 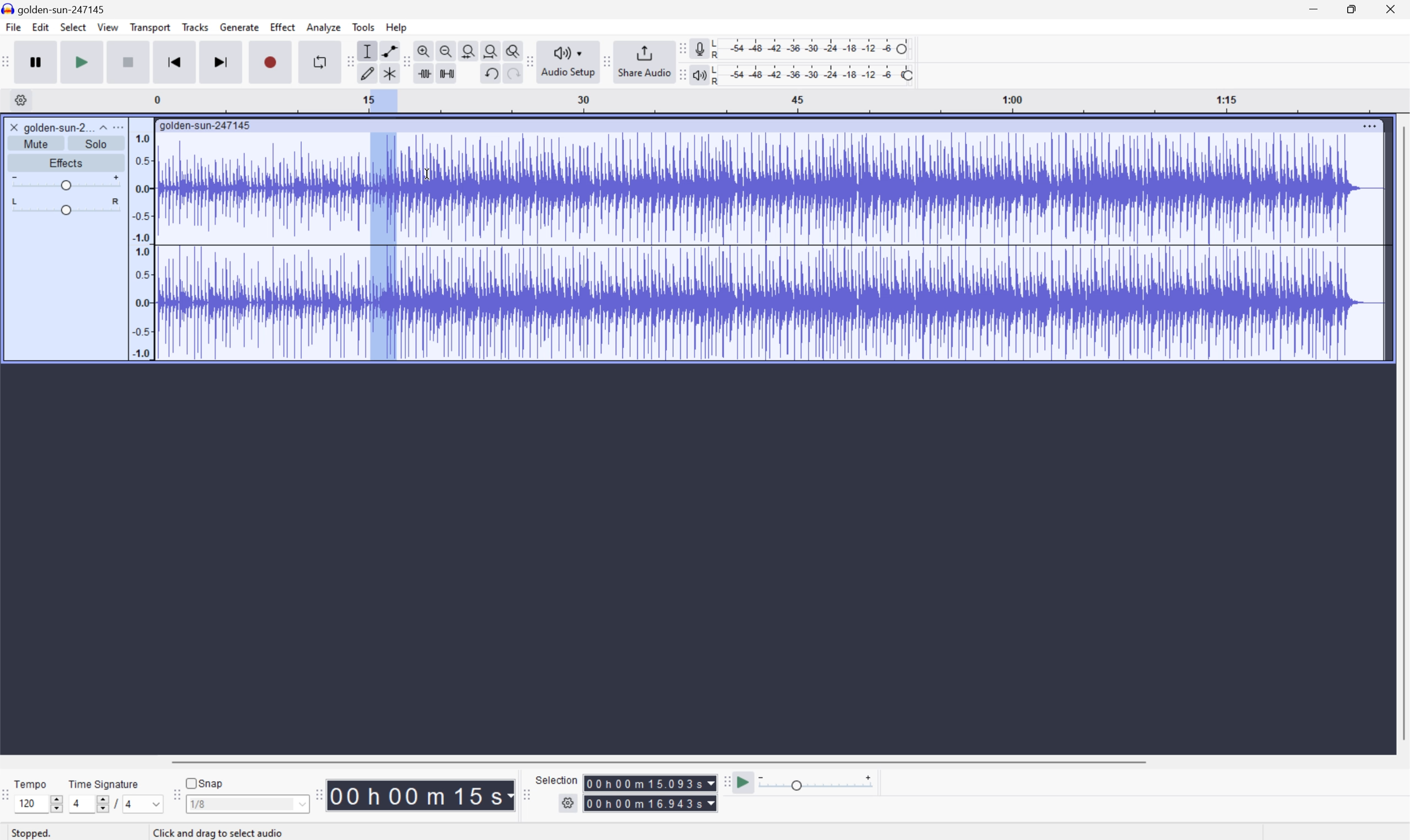 What do you see at coordinates (814, 48) in the screenshot?
I see `Recording level: 62%` at bounding box center [814, 48].